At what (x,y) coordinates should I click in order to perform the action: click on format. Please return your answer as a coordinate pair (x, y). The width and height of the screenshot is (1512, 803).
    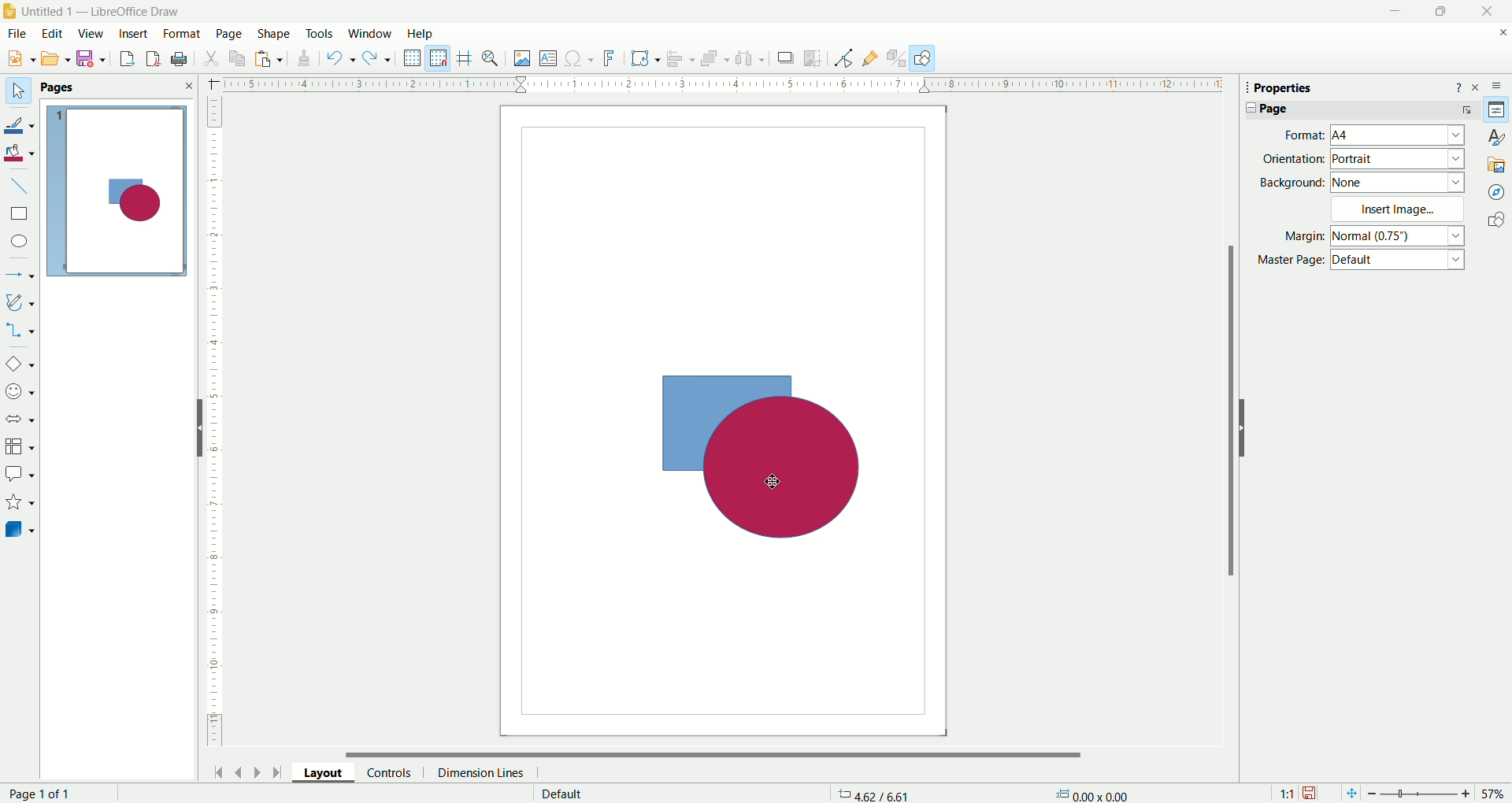
    Looking at the image, I should click on (181, 34).